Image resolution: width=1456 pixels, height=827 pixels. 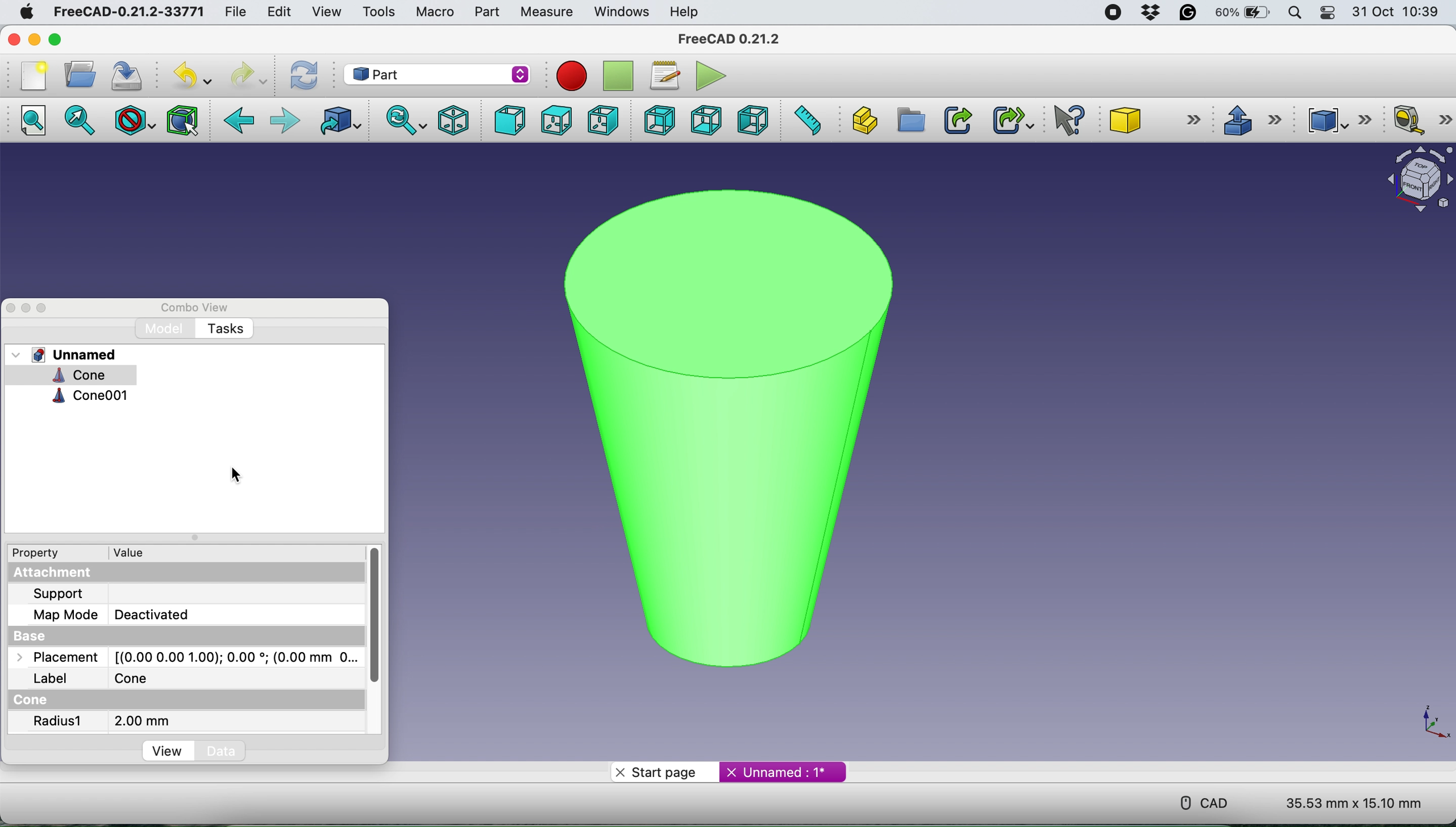 What do you see at coordinates (1418, 122) in the screenshot?
I see `mesure linear` at bounding box center [1418, 122].